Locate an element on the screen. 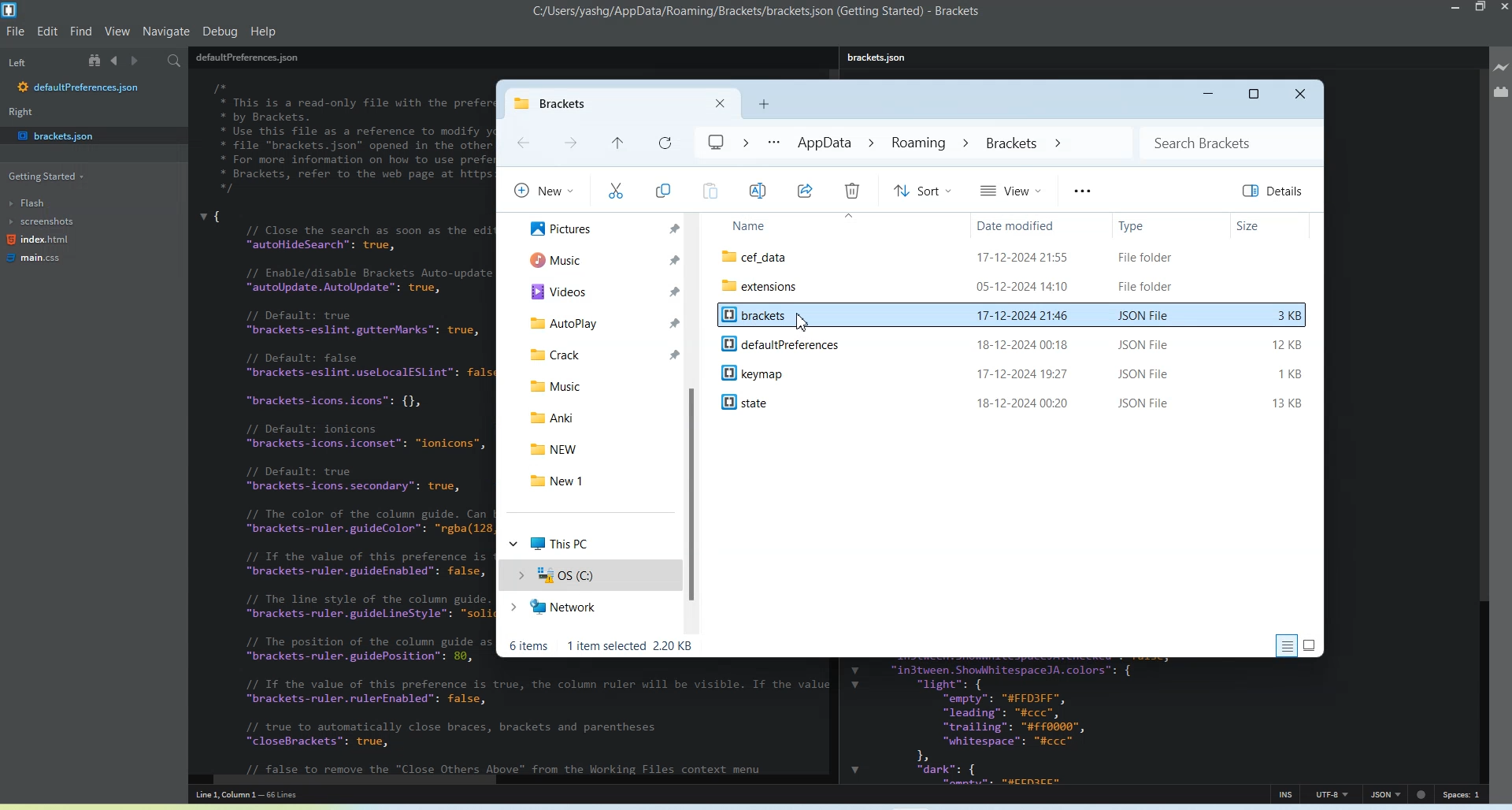 The height and width of the screenshot is (810, 1512). New is located at coordinates (542, 189).